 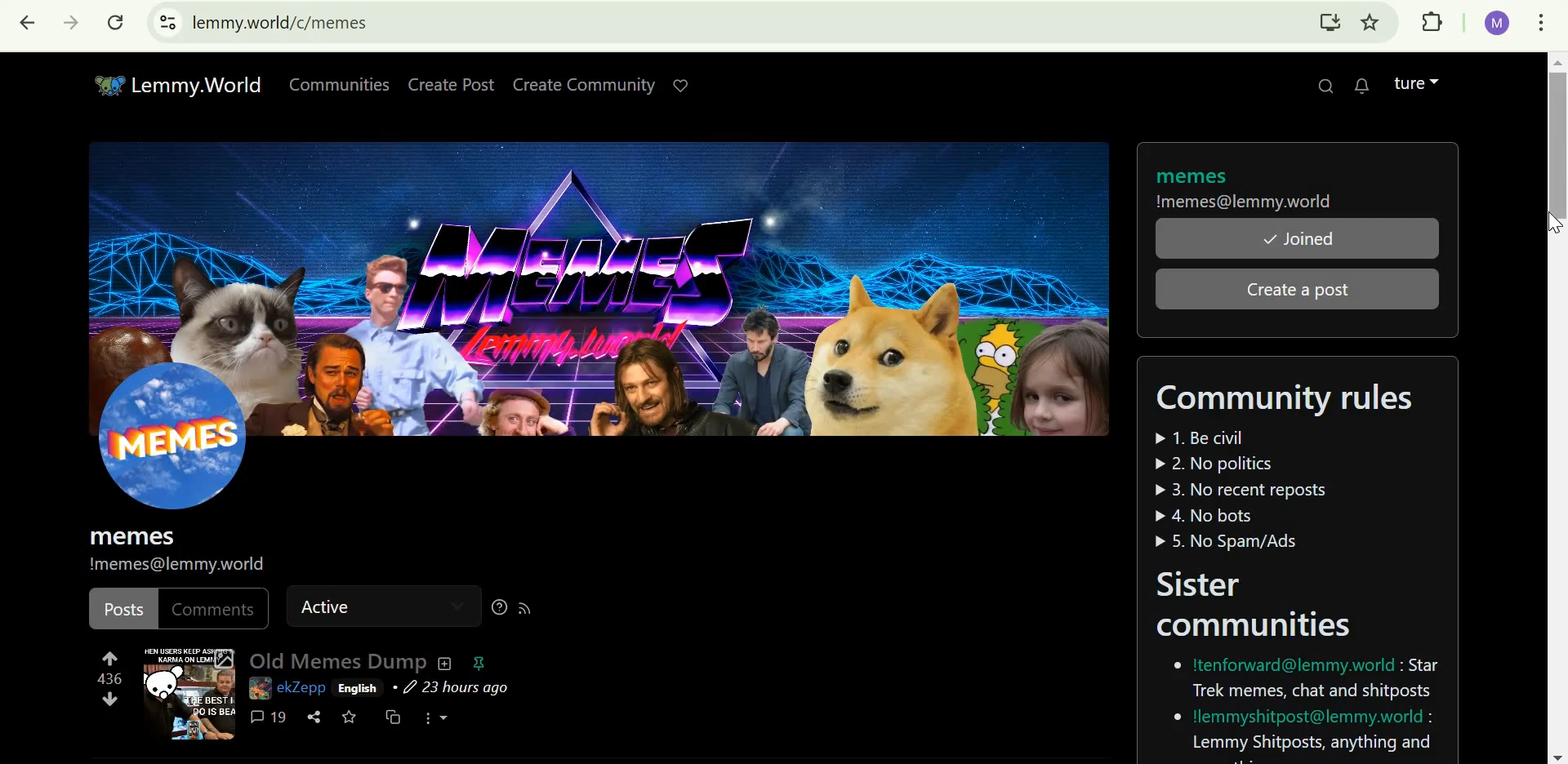 What do you see at coordinates (193, 565) in the screenshot?
I see `!memes@lemmy.world` at bounding box center [193, 565].